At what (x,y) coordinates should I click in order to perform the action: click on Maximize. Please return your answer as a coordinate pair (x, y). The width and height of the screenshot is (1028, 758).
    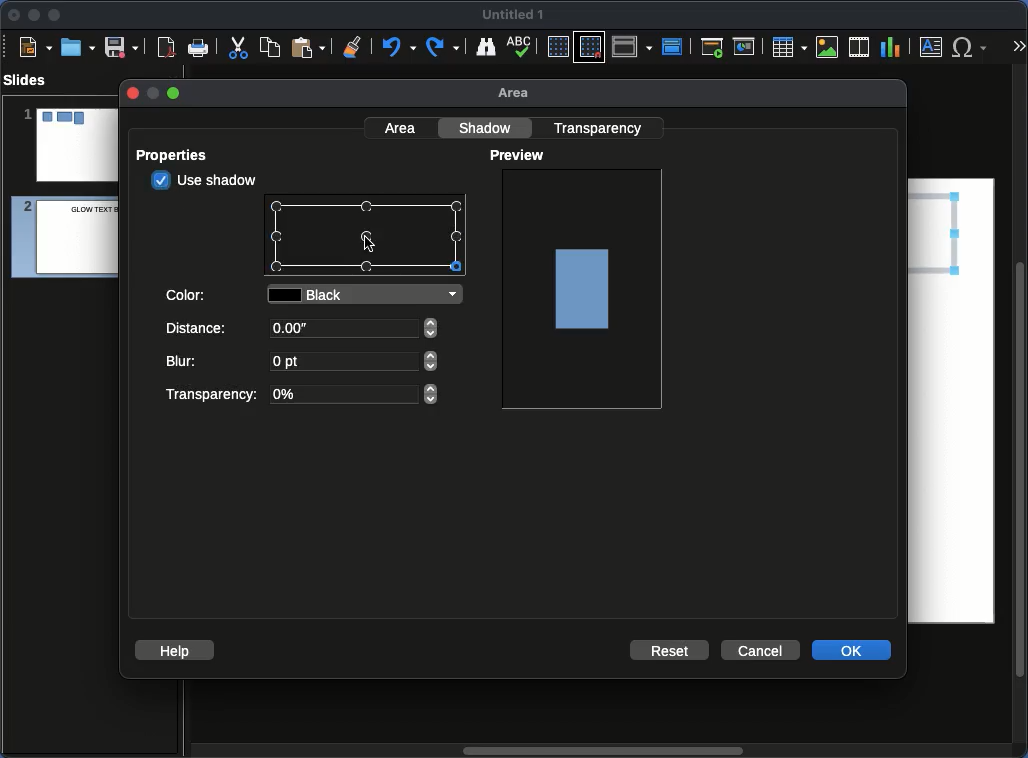
    Looking at the image, I should click on (55, 17).